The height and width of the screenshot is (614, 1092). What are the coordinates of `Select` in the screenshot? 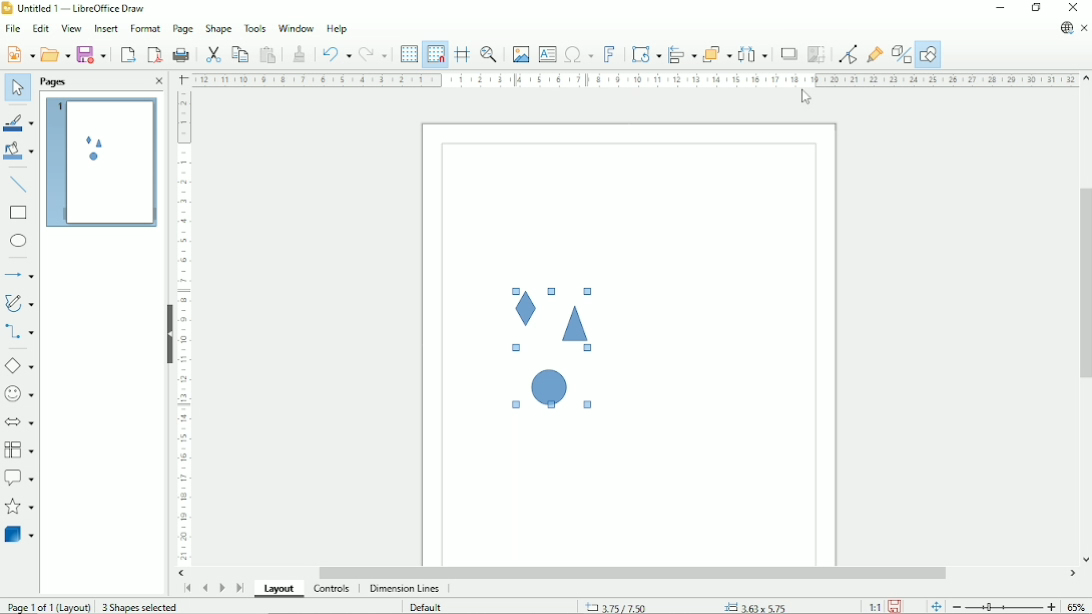 It's located at (17, 89).